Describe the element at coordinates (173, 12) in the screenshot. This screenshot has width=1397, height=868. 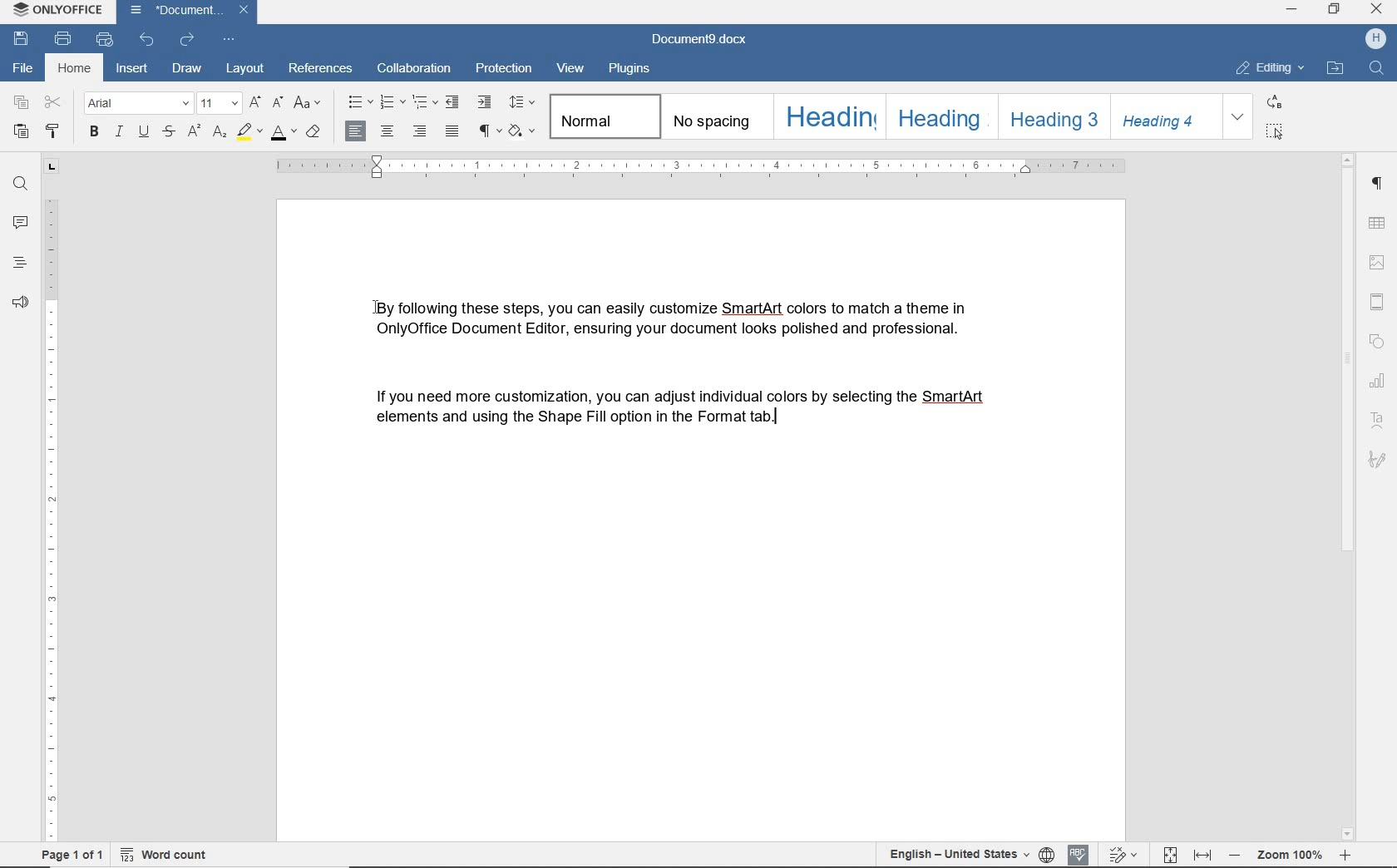
I see `document name` at that location.